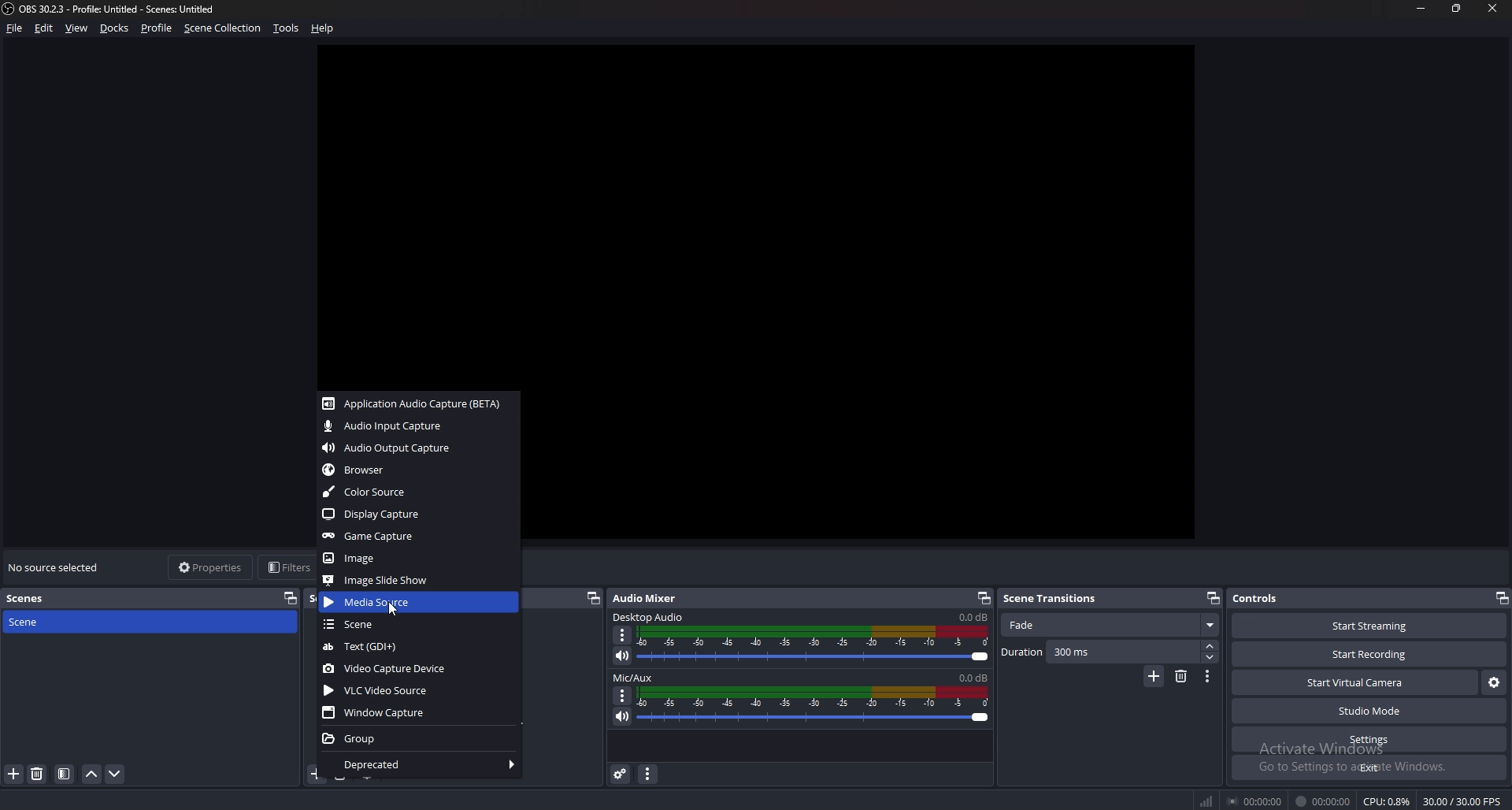 The width and height of the screenshot is (1512, 810). What do you see at coordinates (420, 714) in the screenshot?
I see `Widow capture` at bounding box center [420, 714].